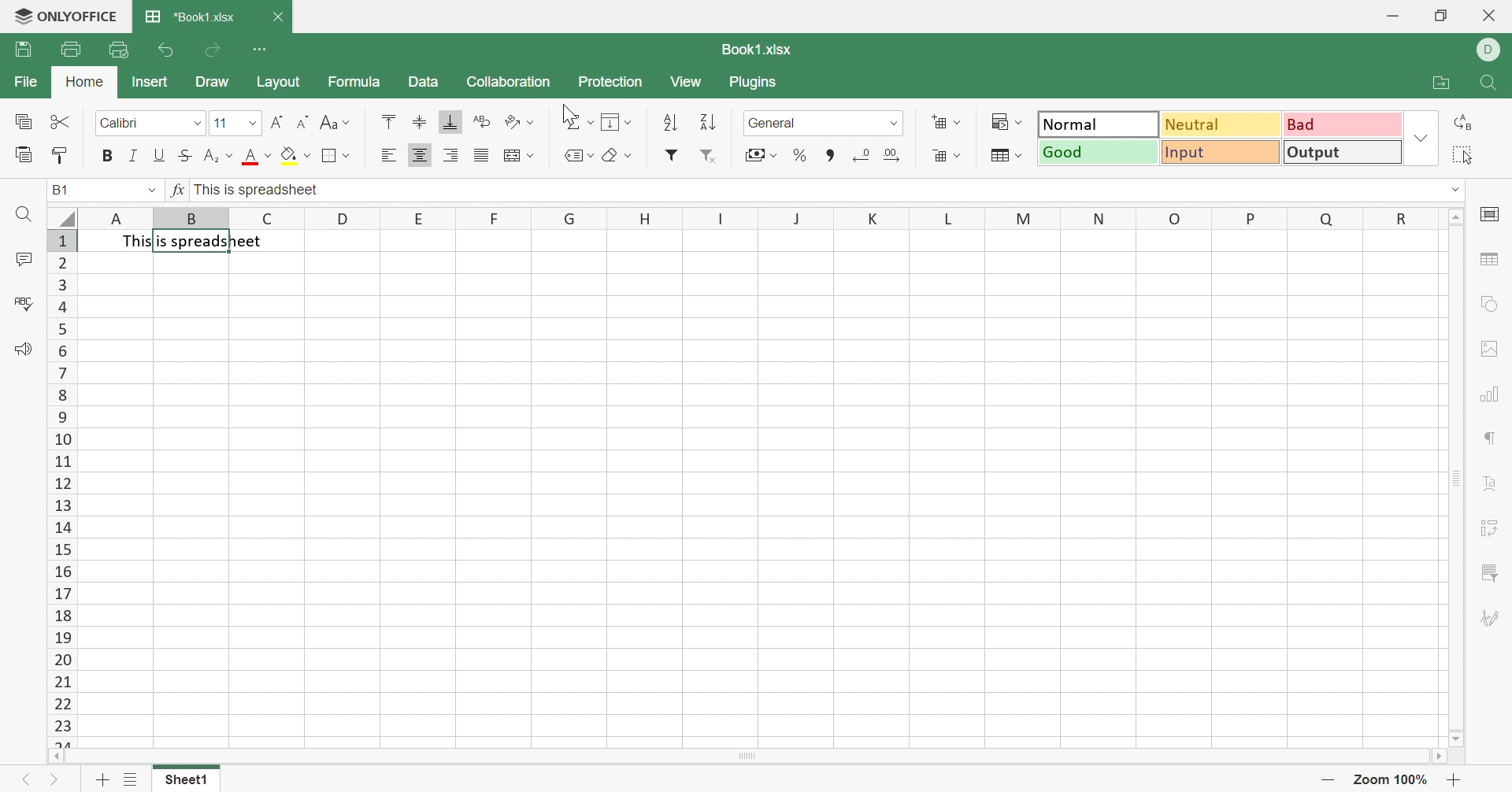 The image size is (1512, 792). I want to click on Protection, so click(609, 81).